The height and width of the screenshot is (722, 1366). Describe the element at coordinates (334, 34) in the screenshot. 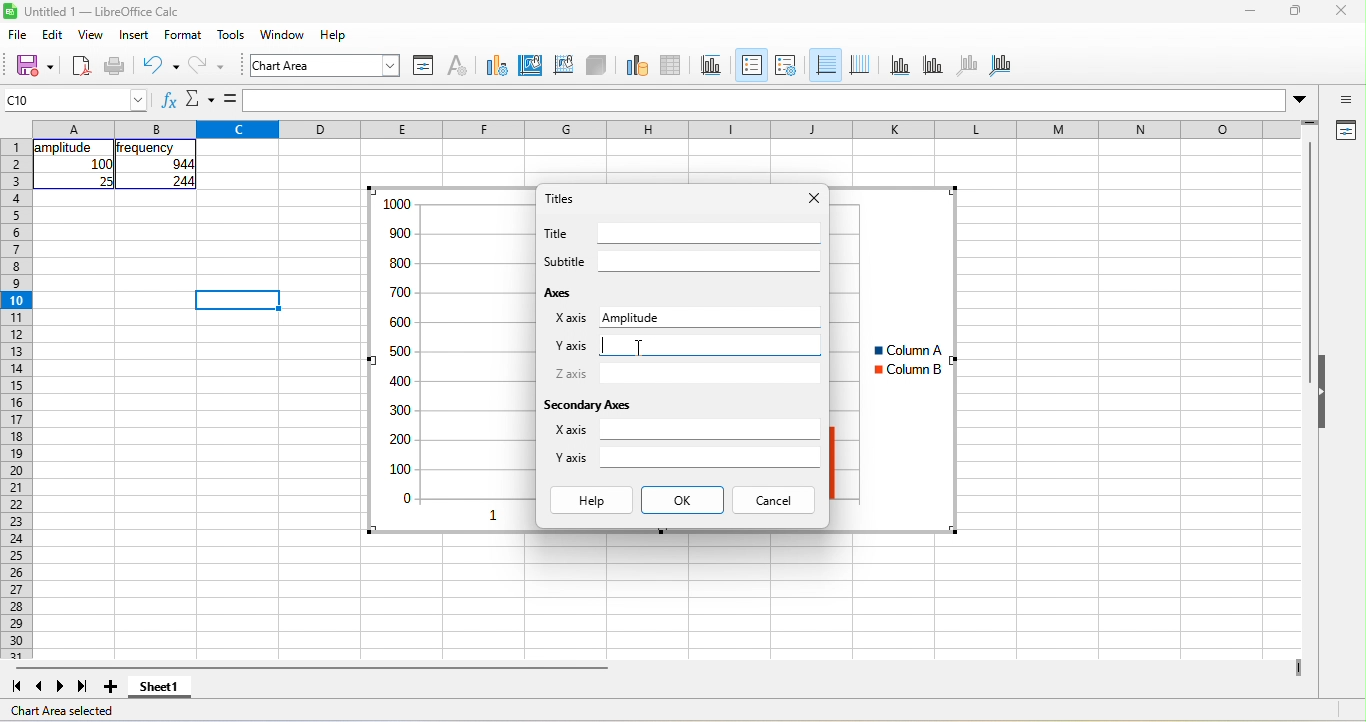

I see `help` at that location.